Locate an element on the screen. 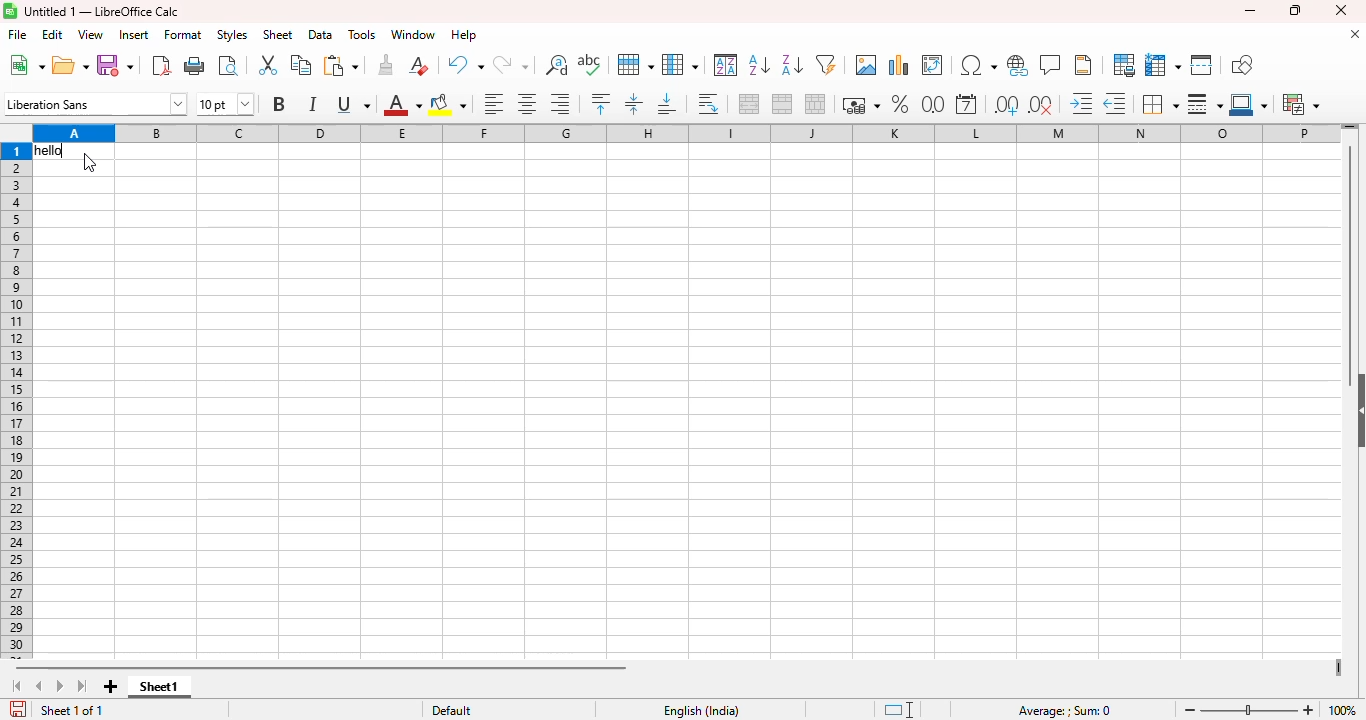  sort is located at coordinates (727, 65).